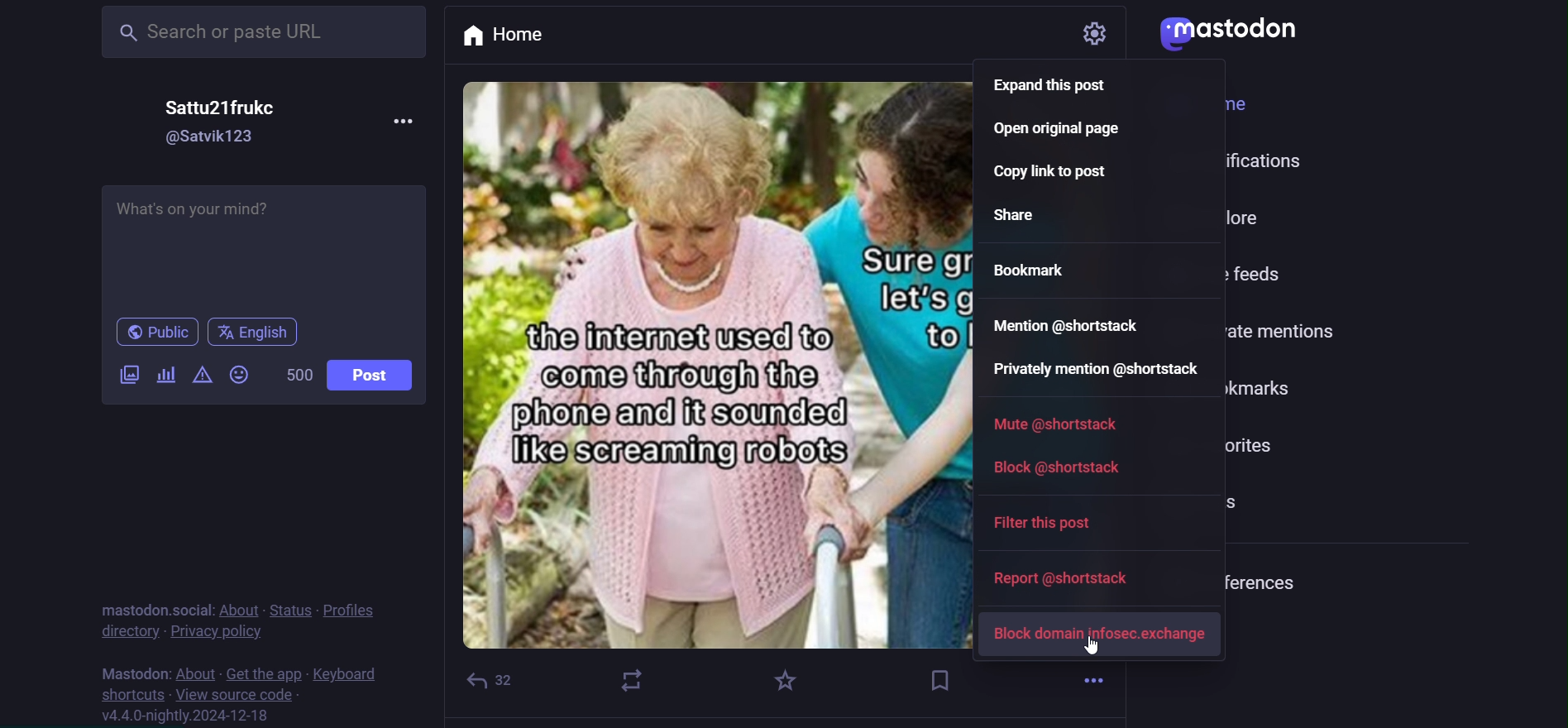 This screenshot has height=728, width=1568. What do you see at coordinates (631, 680) in the screenshot?
I see `boost` at bounding box center [631, 680].